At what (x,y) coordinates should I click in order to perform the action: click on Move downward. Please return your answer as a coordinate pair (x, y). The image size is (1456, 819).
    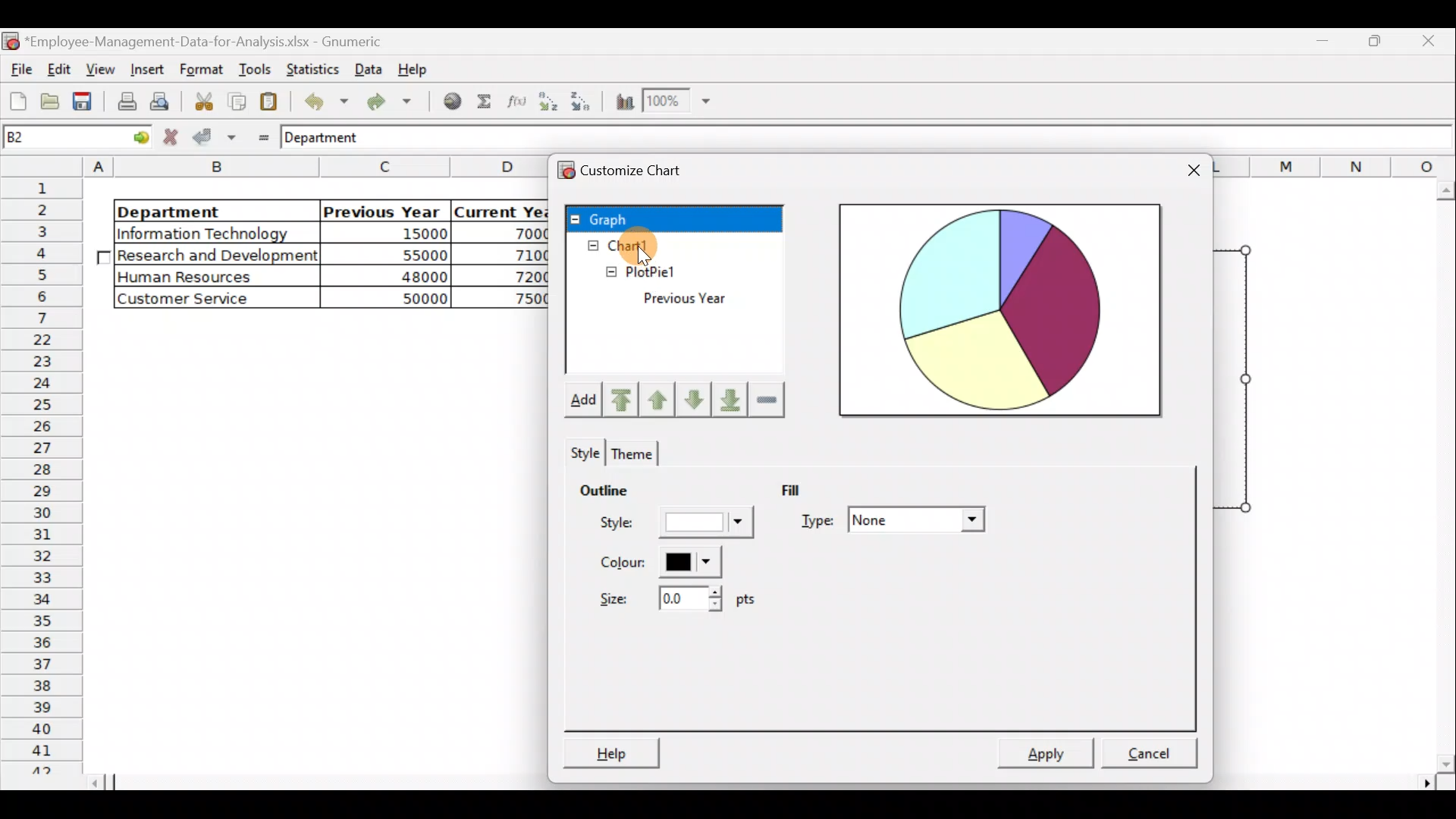
    Looking at the image, I should click on (726, 398).